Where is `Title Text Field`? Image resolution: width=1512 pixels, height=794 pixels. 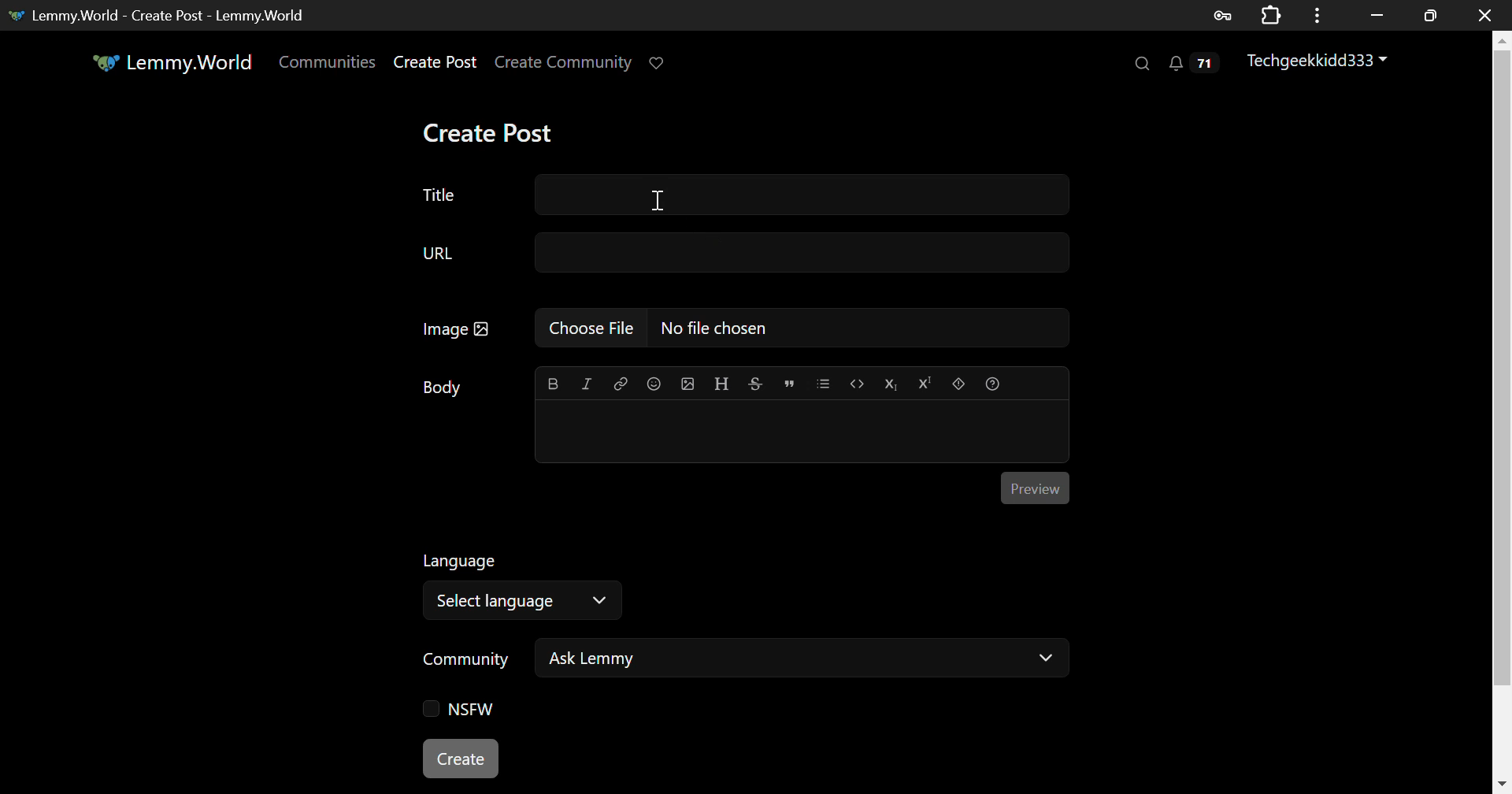
Title Text Field is located at coordinates (737, 195).